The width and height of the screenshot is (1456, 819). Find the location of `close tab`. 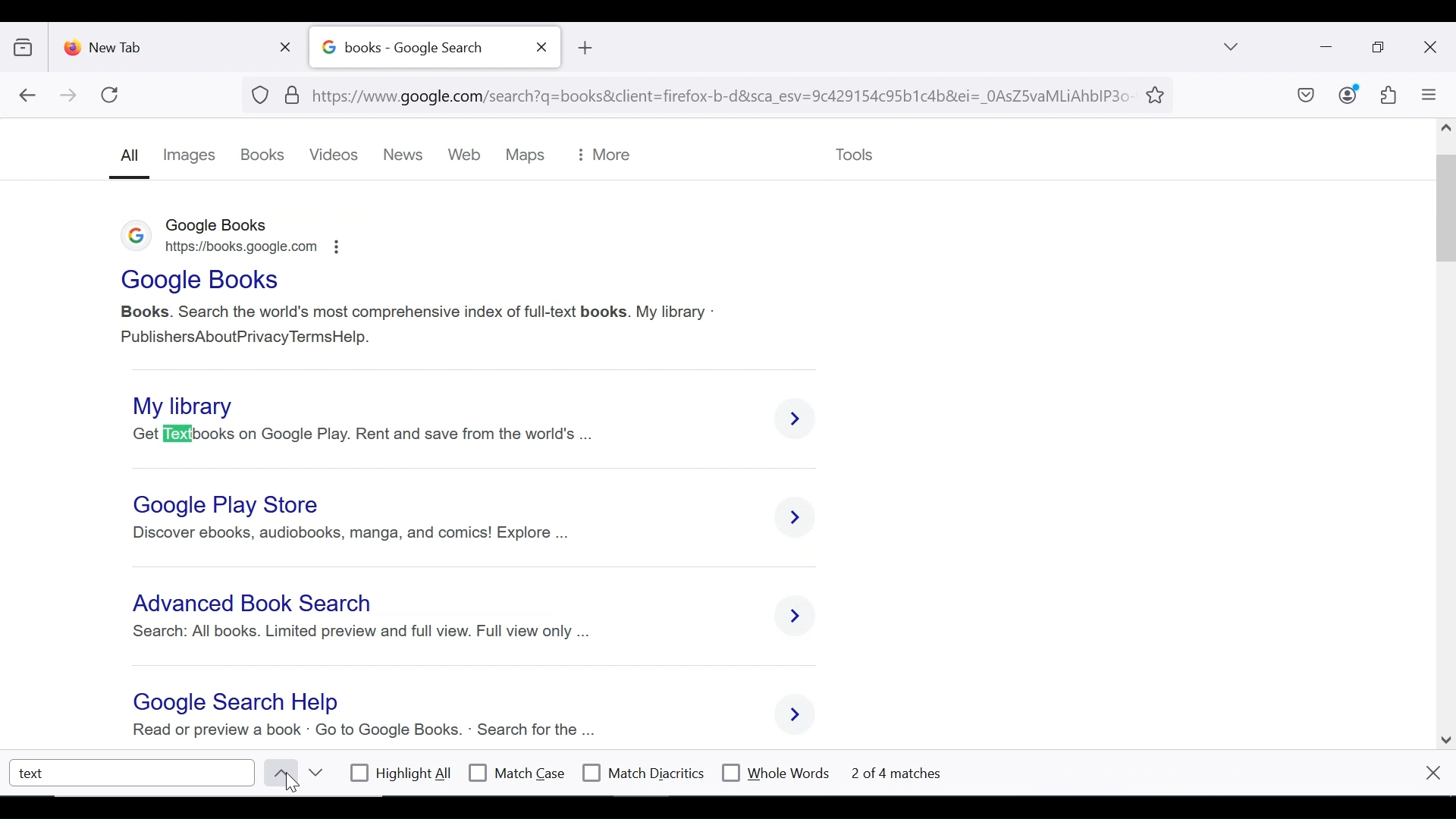

close tab is located at coordinates (542, 47).